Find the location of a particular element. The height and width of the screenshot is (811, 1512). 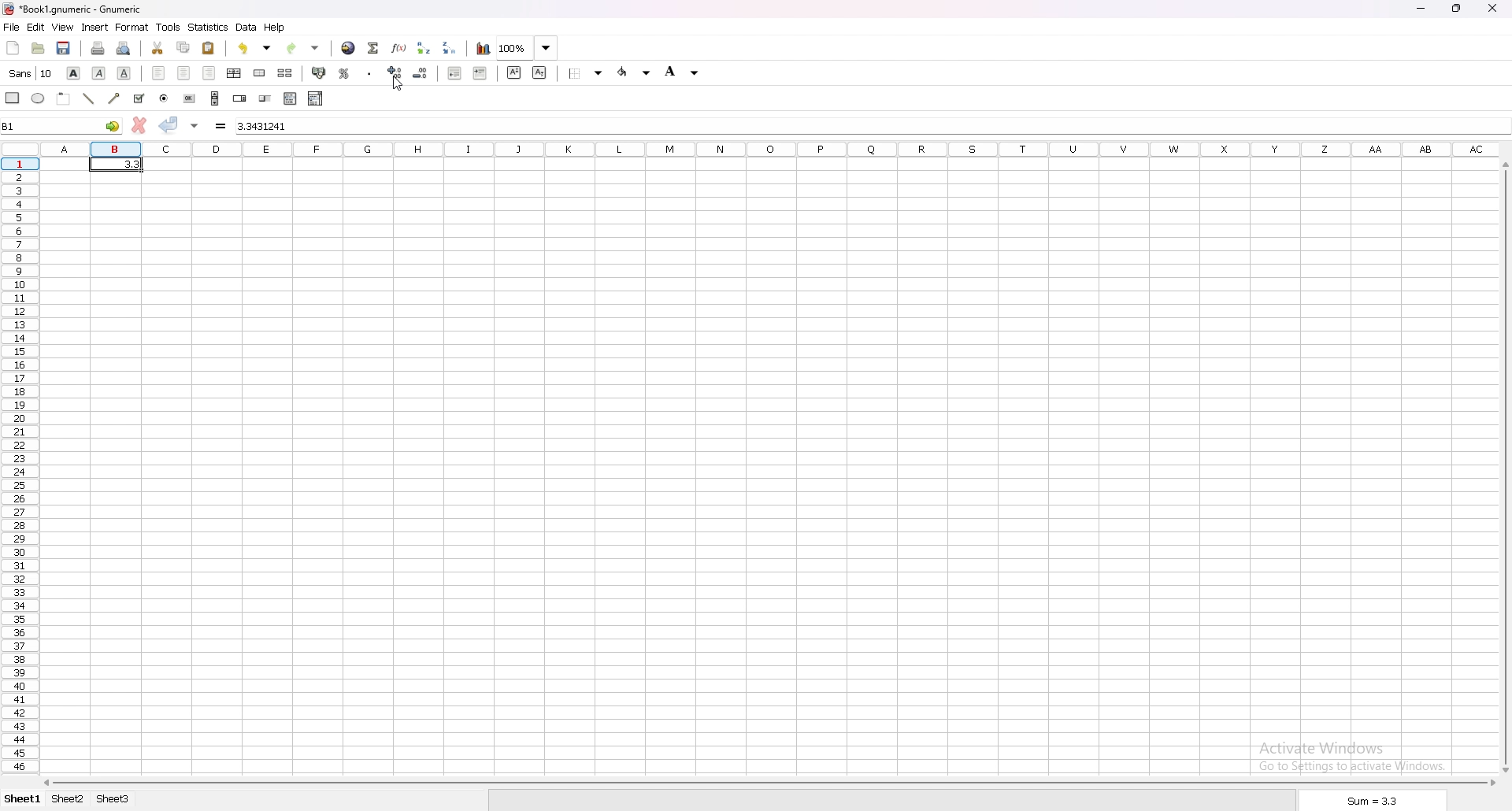

statistics is located at coordinates (209, 27).